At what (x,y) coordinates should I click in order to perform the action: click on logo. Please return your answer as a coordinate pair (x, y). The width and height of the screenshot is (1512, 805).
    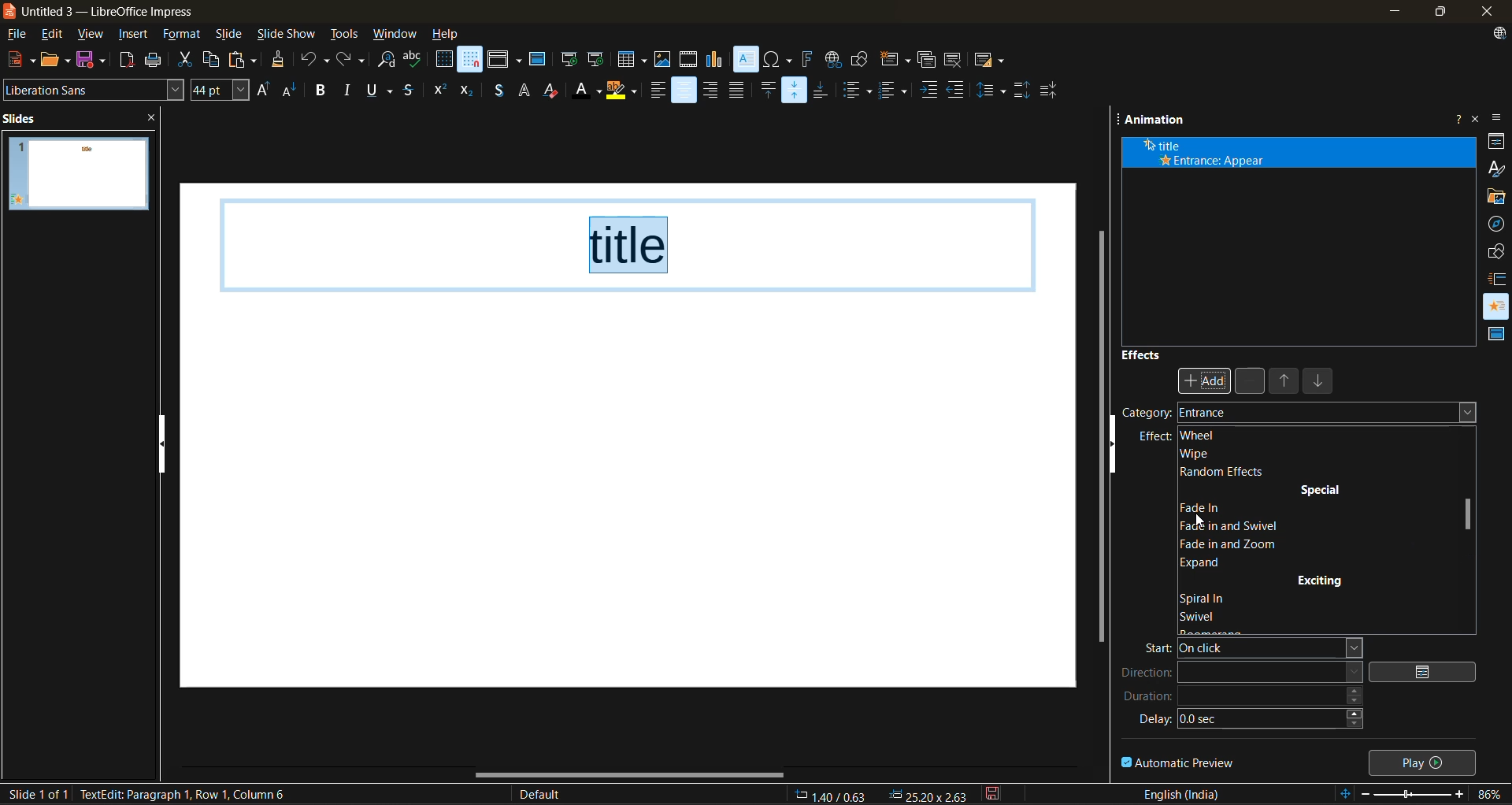
    Looking at the image, I should click on (9, 10).